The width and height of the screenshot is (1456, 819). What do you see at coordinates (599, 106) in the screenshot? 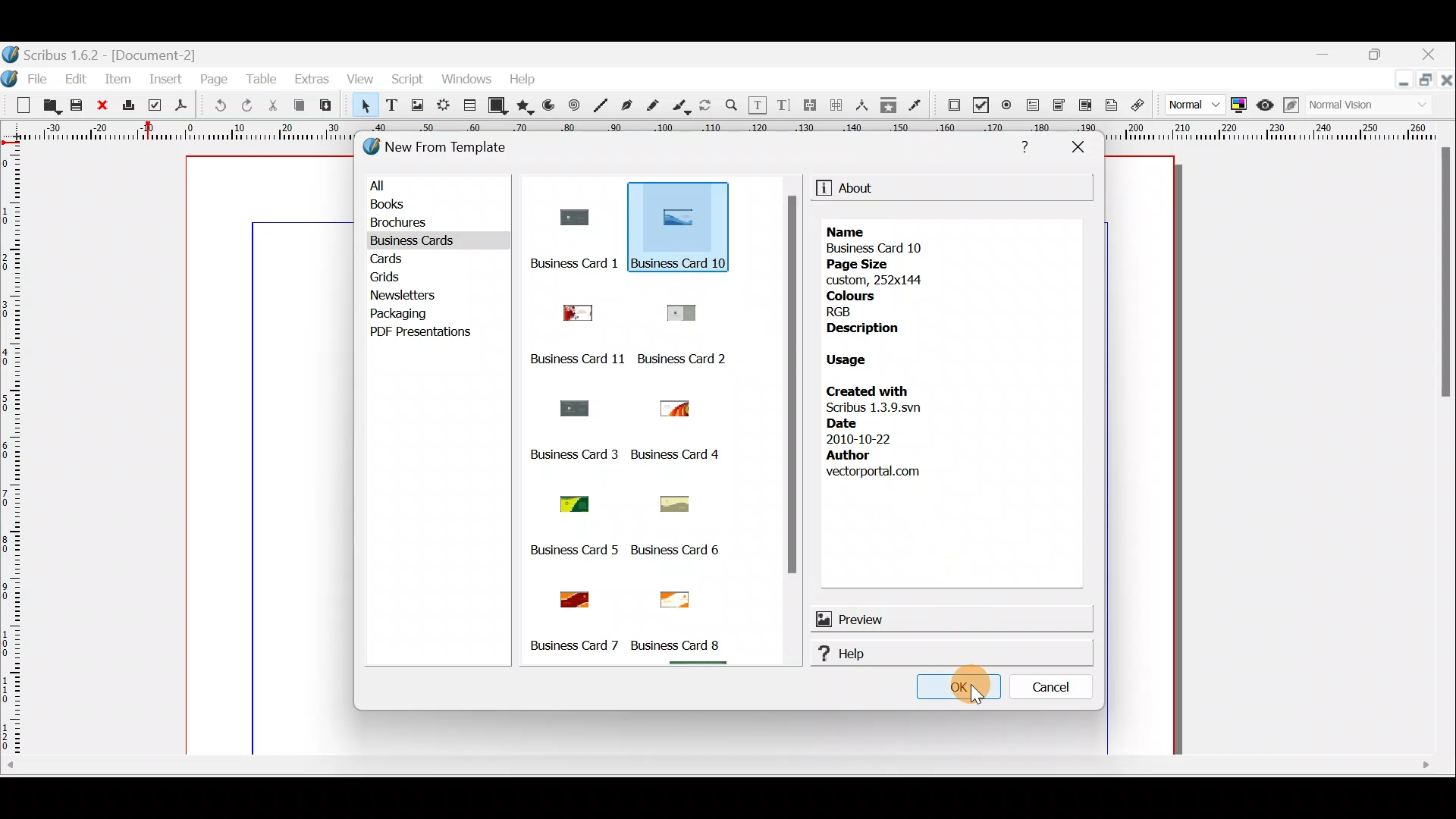
I see `Line` at bounding box center [599, 106].